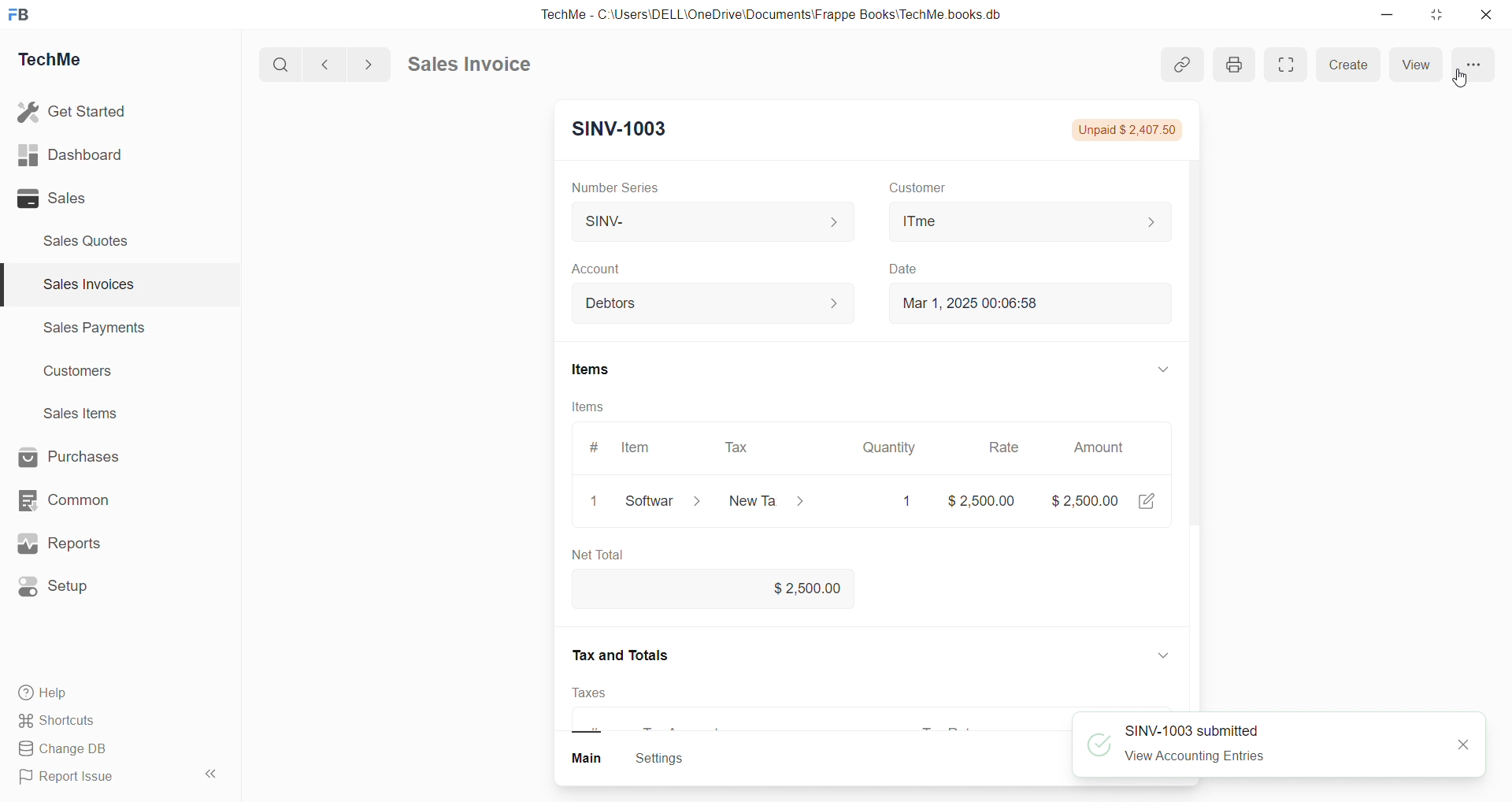 This screenshot has height=802, width=1512. Describe the element at coordinates (899, 445) in the screenshot. I see `Quantity` at that location.